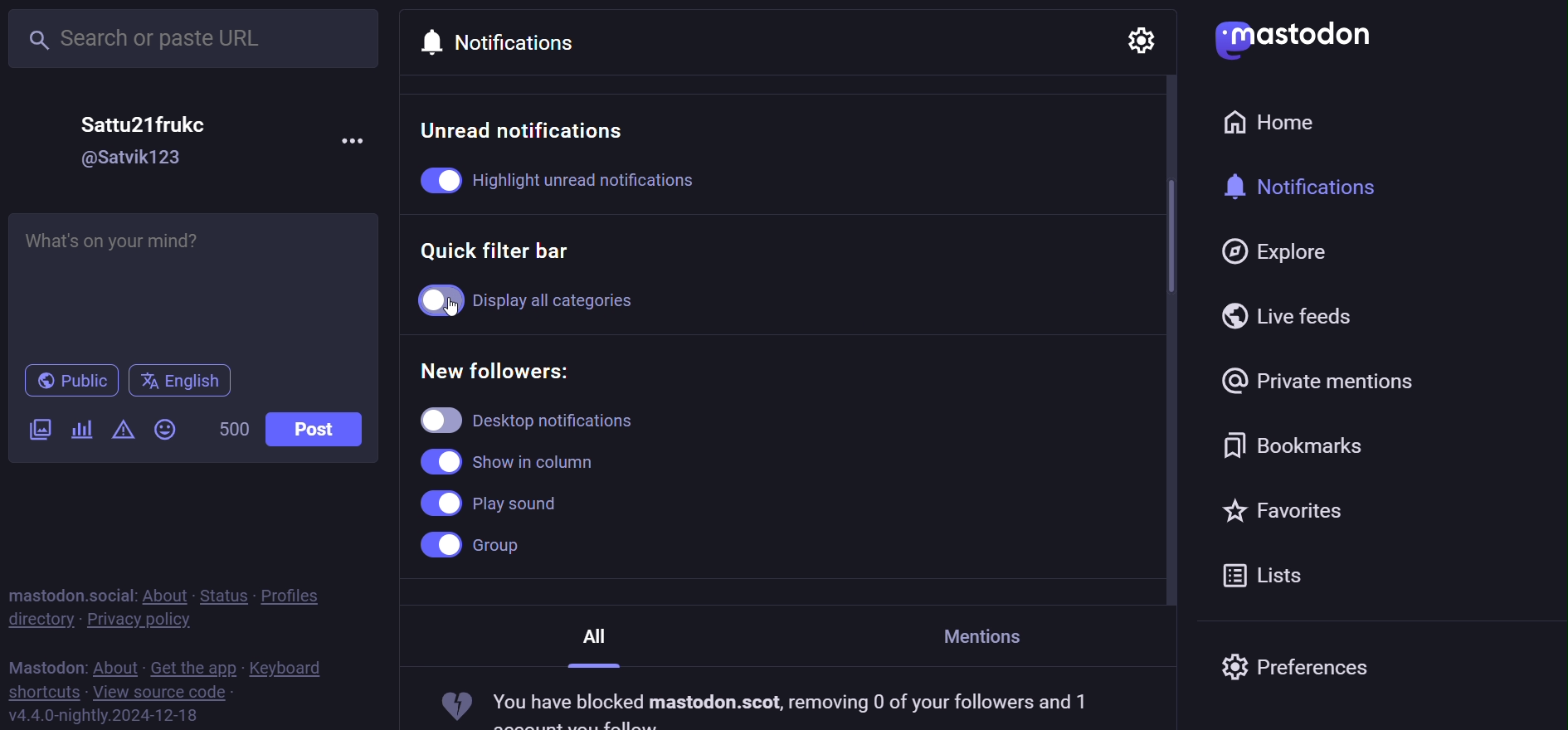 The width and height of the screenshot is (1568, 730). Describe the element at coordinates (195, 279) in the screenshot. I see `What's on your mind?` at that location.